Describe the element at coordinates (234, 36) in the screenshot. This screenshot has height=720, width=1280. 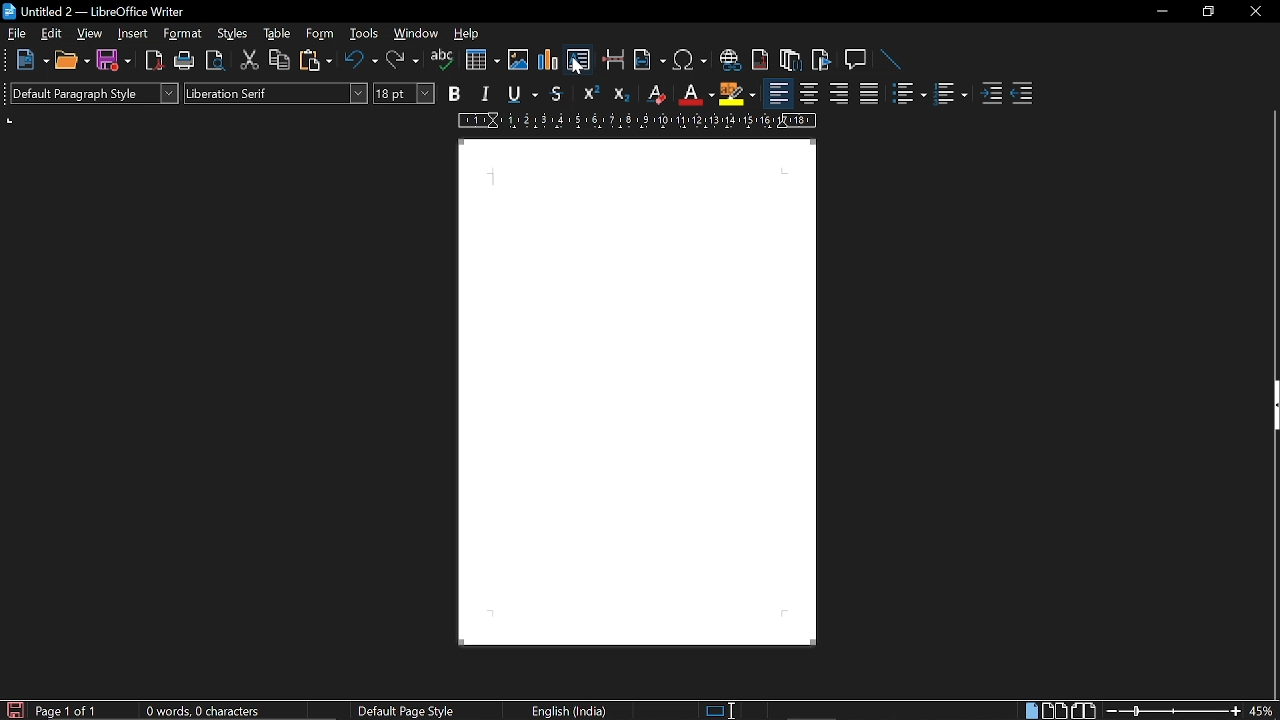
I see `styles` at that location.